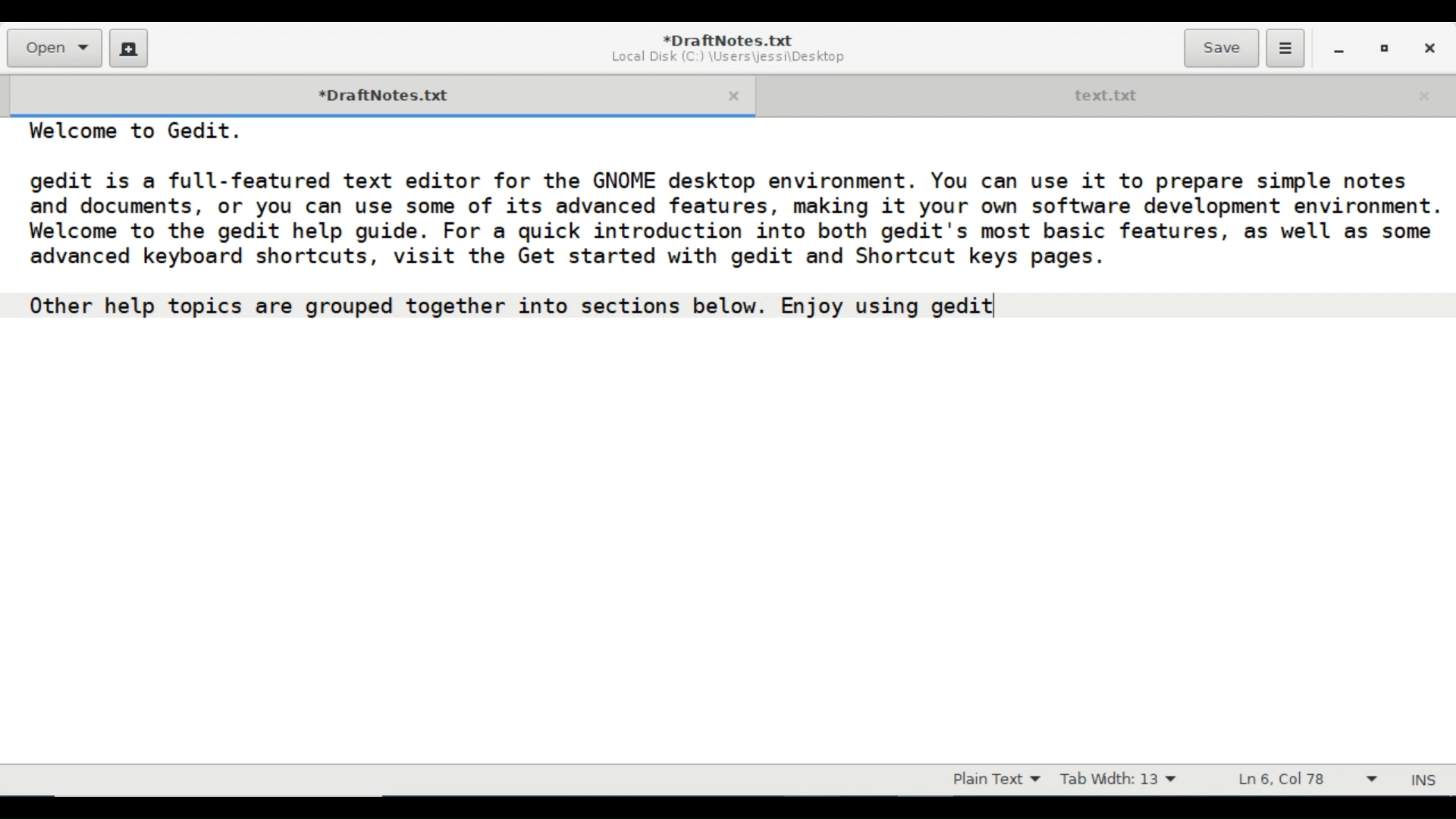 The width and height of the screenshot is (1456, 819). What do you see at coordinates (1285, 49) in the screenshot?
I see `Application menu` at bounding box center [1285, 49].